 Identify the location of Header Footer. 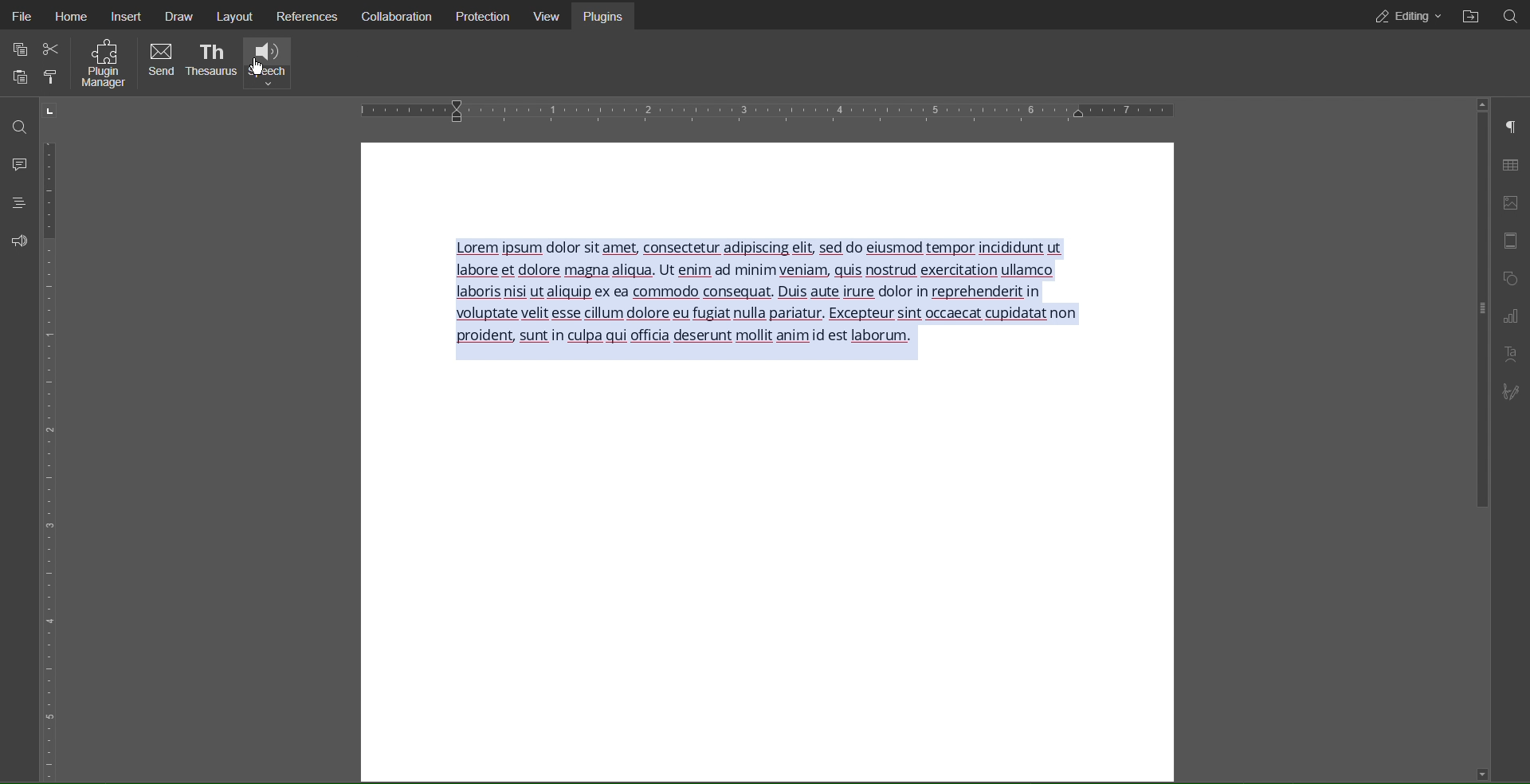
(1512, 242).